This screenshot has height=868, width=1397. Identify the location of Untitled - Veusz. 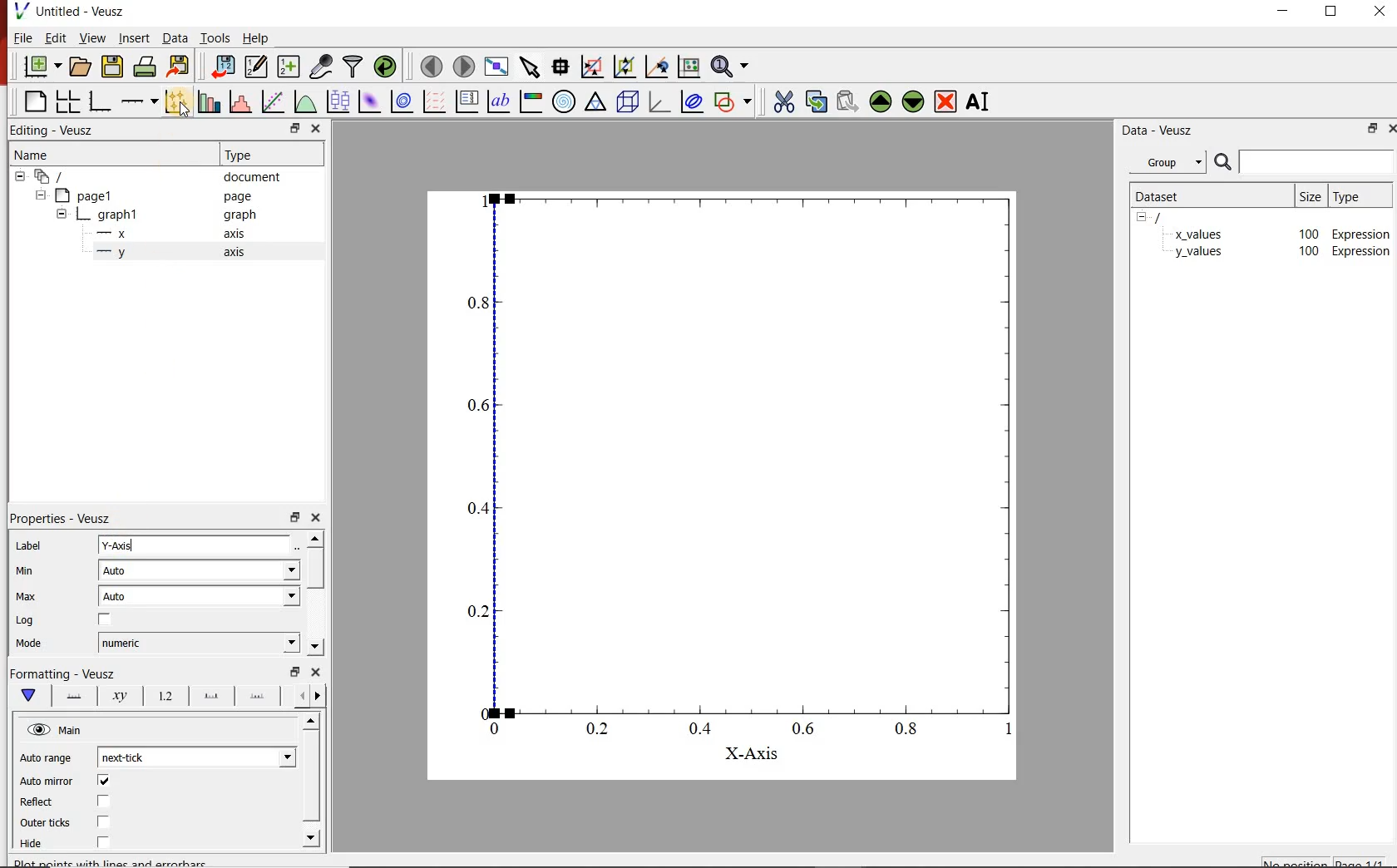
(81, 11).